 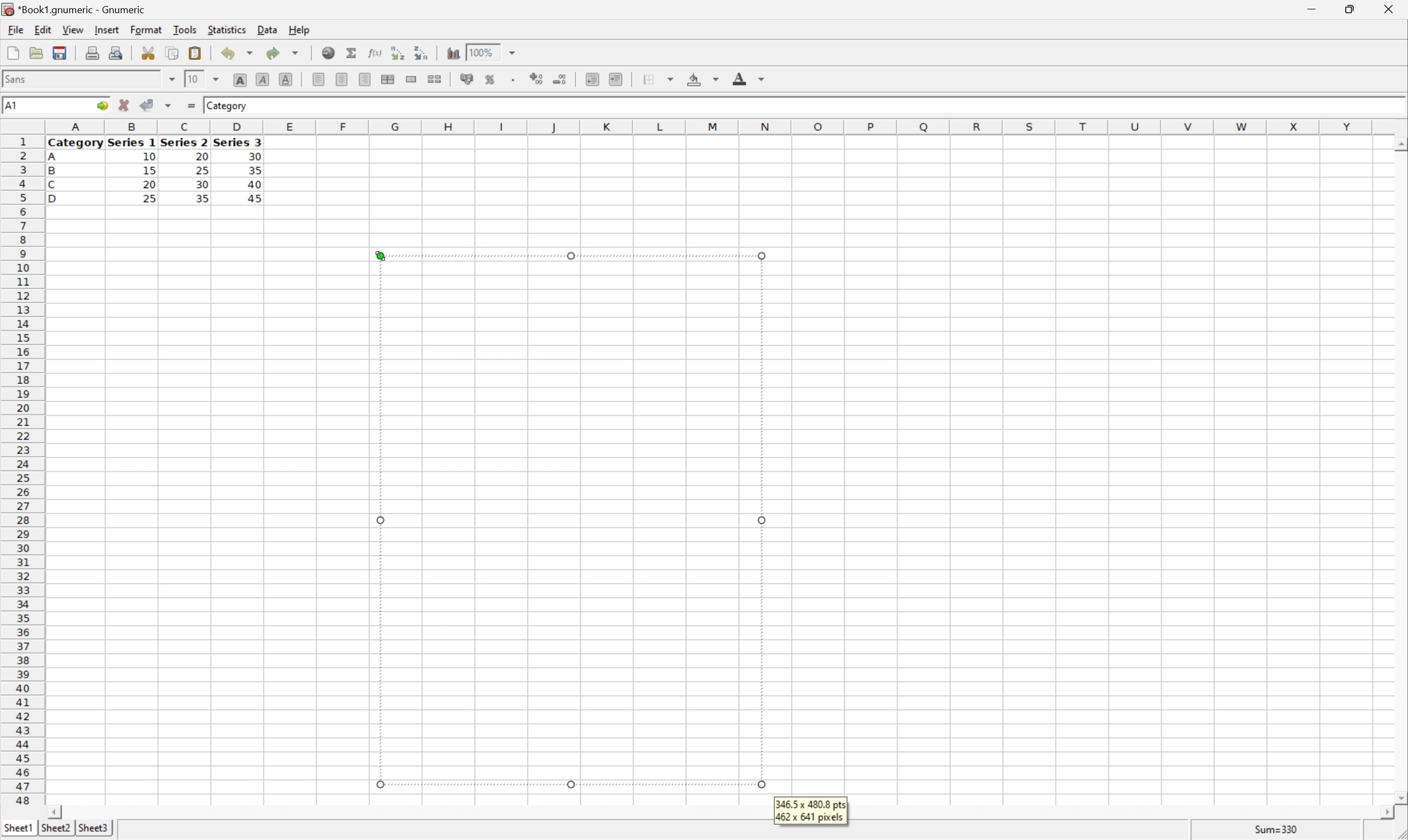 I want to click on Insert a hyperlink, so click(x=328, y=52).